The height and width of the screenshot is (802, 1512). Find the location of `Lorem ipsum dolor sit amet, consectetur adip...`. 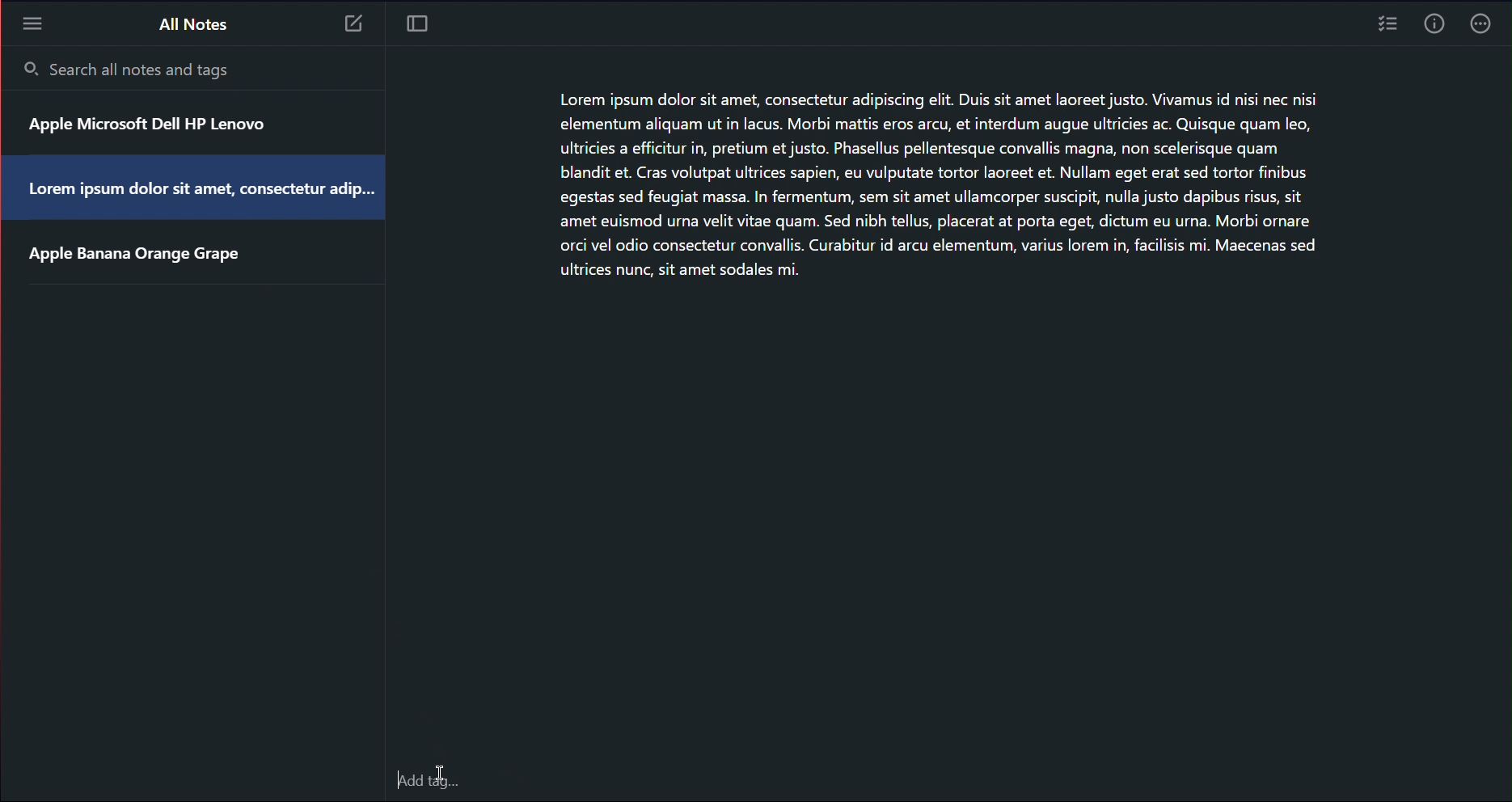

Lorem ipsum dolor sit amet, consectetur adip... is located at coordinates (195, 191).